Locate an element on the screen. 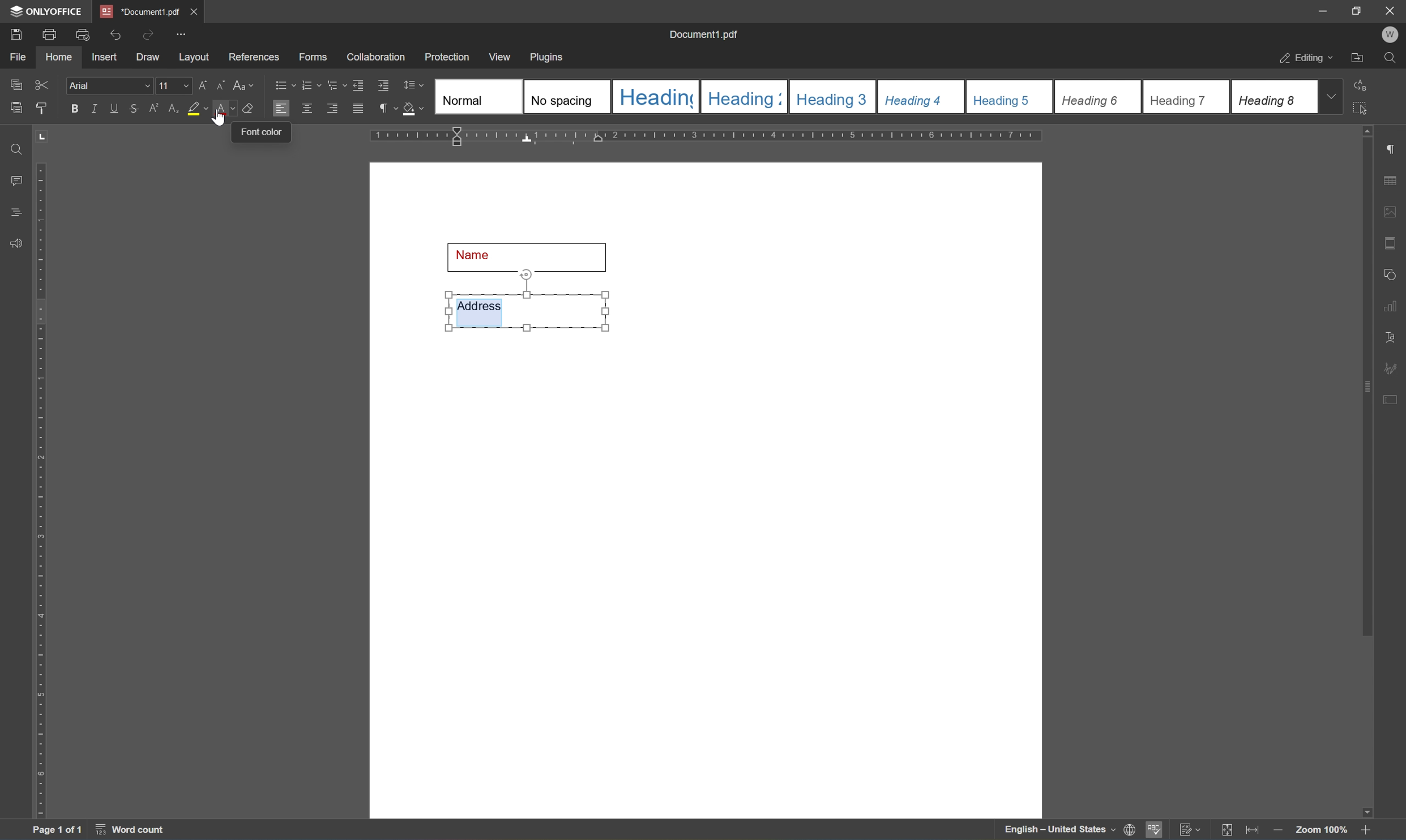 This screenshot has height=840, width=1406. collaboration is located at coordinates (377, 59).